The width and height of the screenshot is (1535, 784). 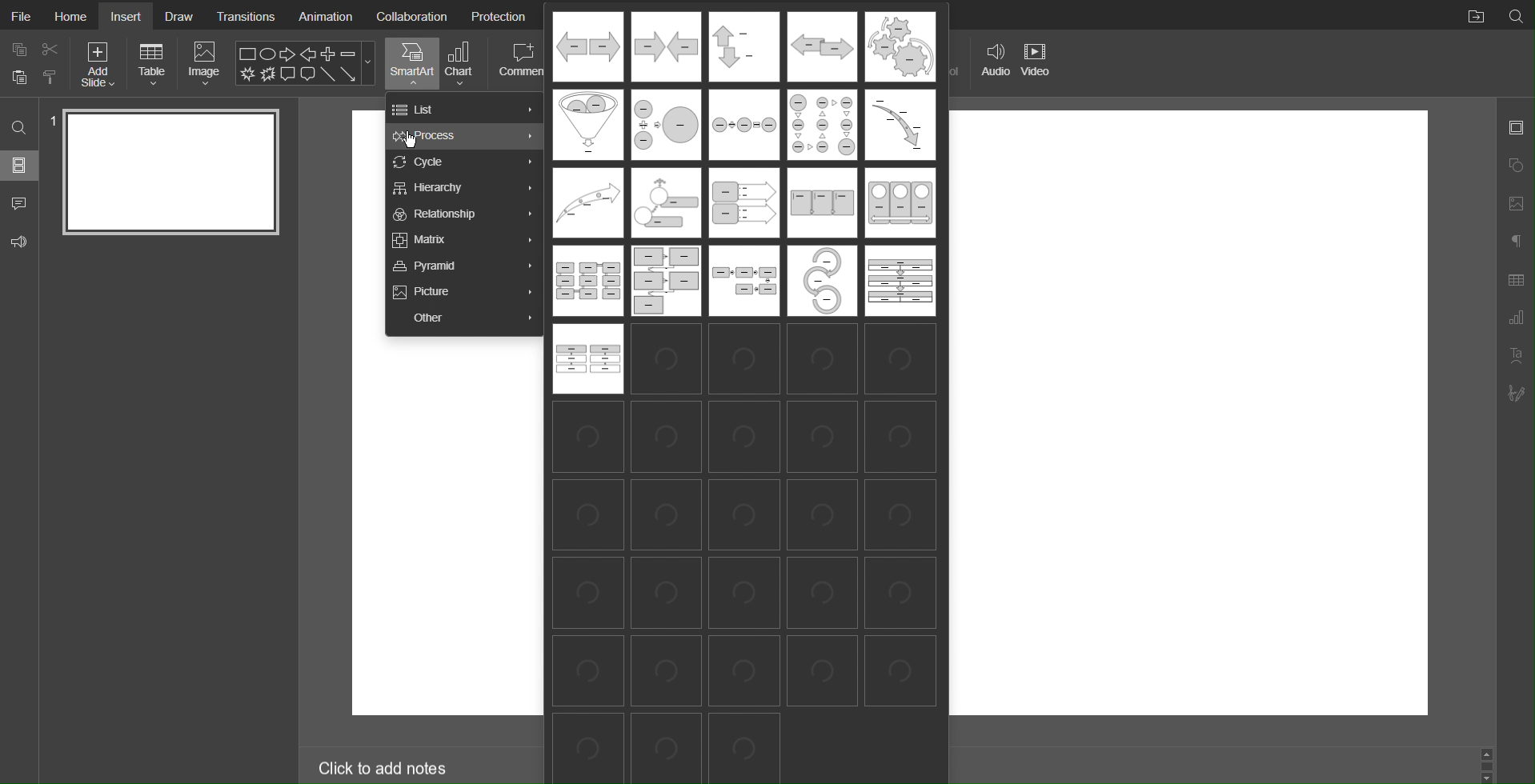 What do you see at coordinates (463, 65) in the screenshot?
I see `Chart` at bounding box center [463, 65].